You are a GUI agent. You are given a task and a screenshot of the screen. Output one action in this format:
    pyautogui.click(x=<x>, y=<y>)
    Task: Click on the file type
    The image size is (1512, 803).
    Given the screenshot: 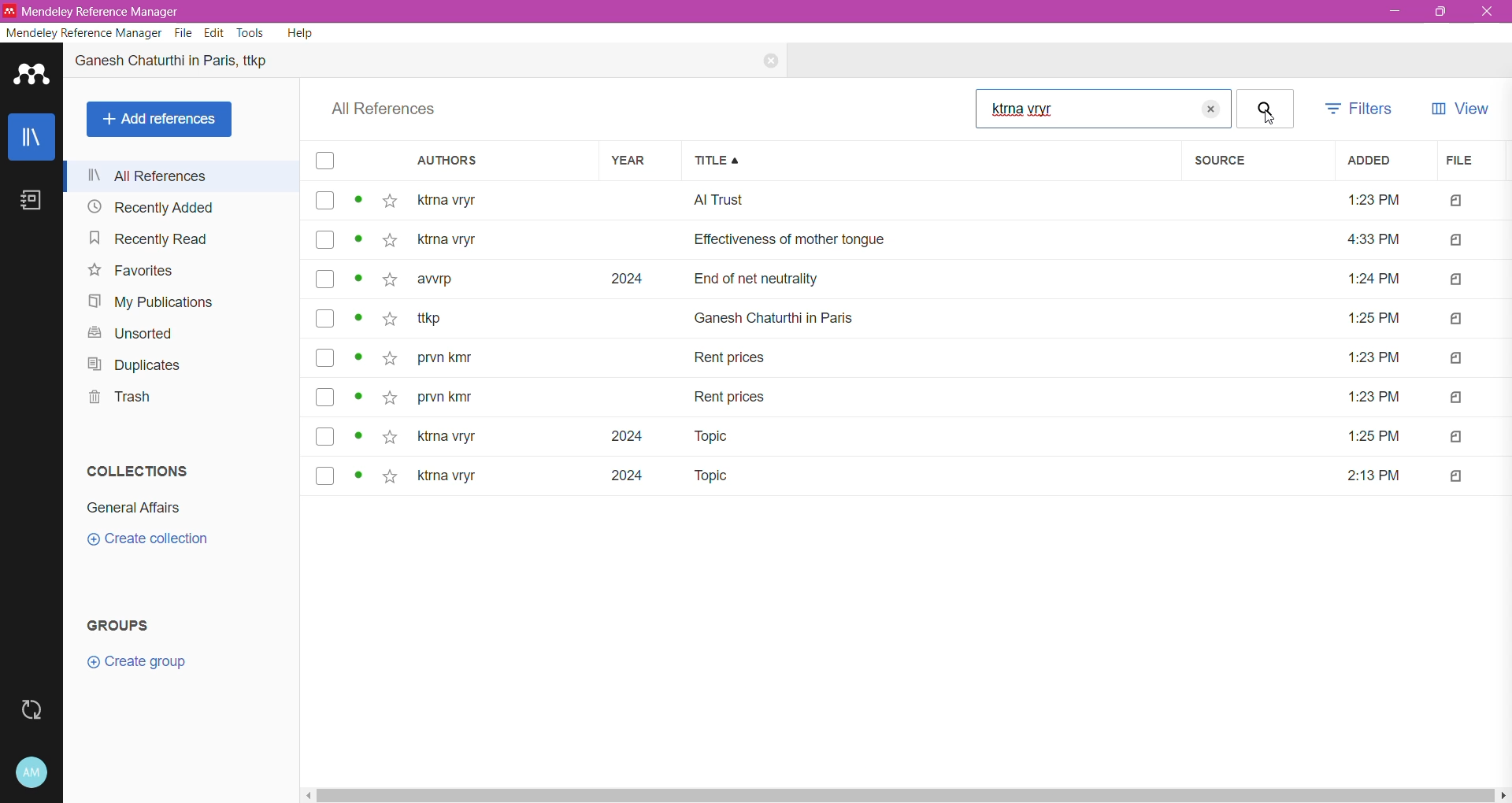 What is the action you would take?
    pyautogui.click(x=1454, y=240)
    